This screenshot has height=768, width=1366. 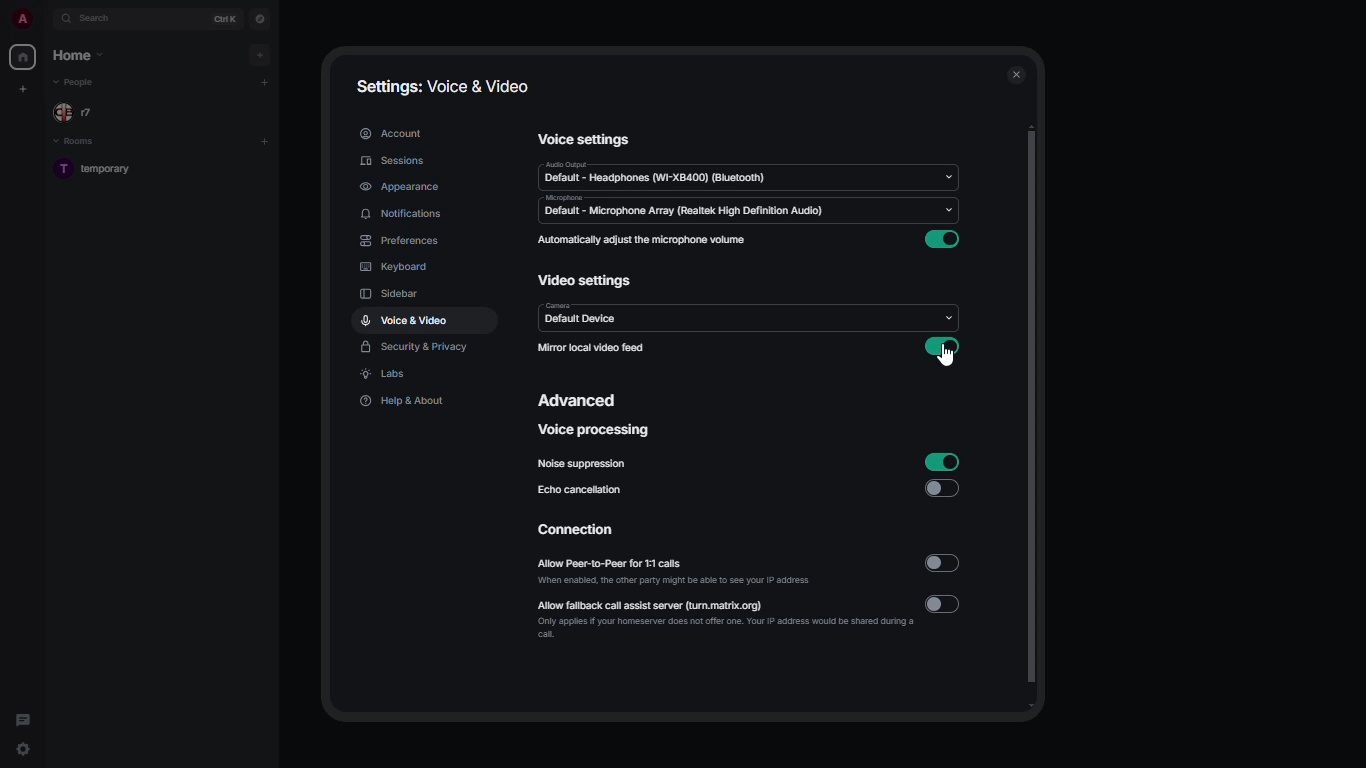 I want to click on labs, so click(x=386, y=375).